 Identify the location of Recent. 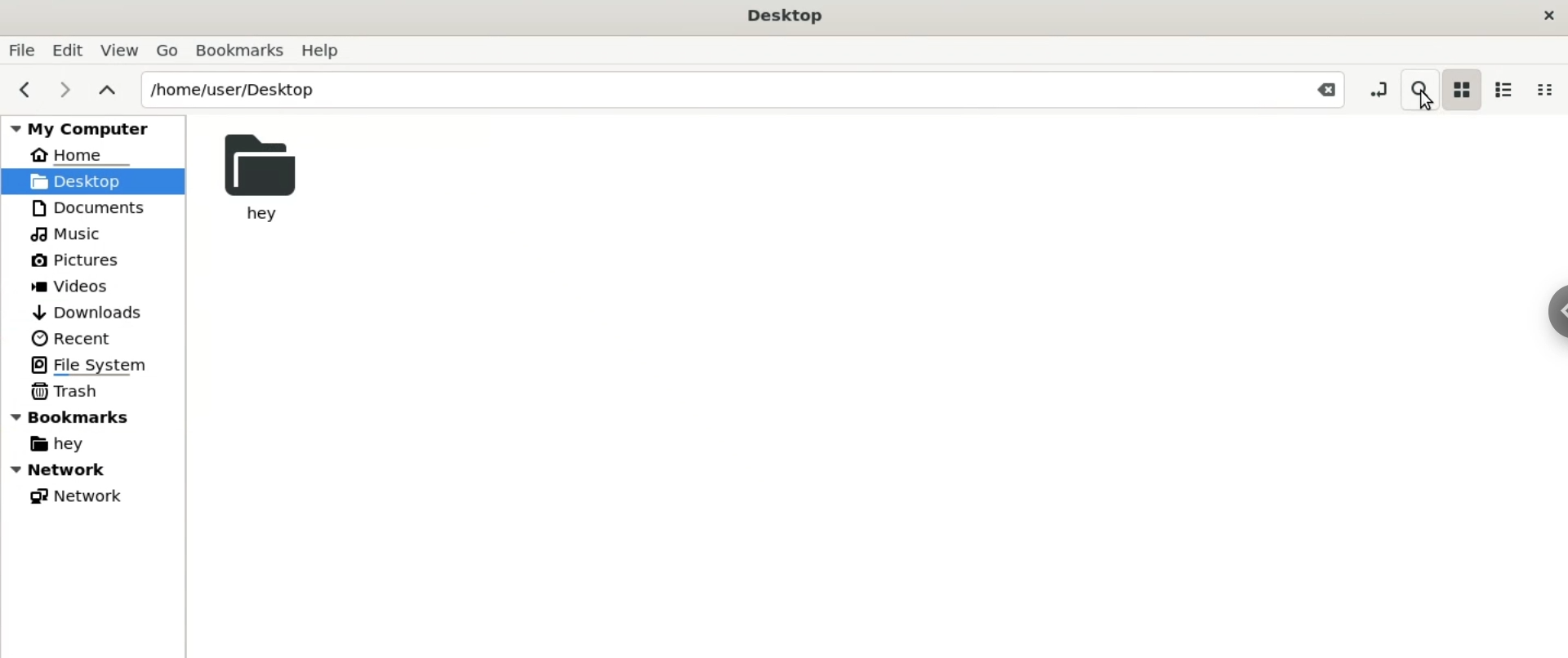
(82, 339).